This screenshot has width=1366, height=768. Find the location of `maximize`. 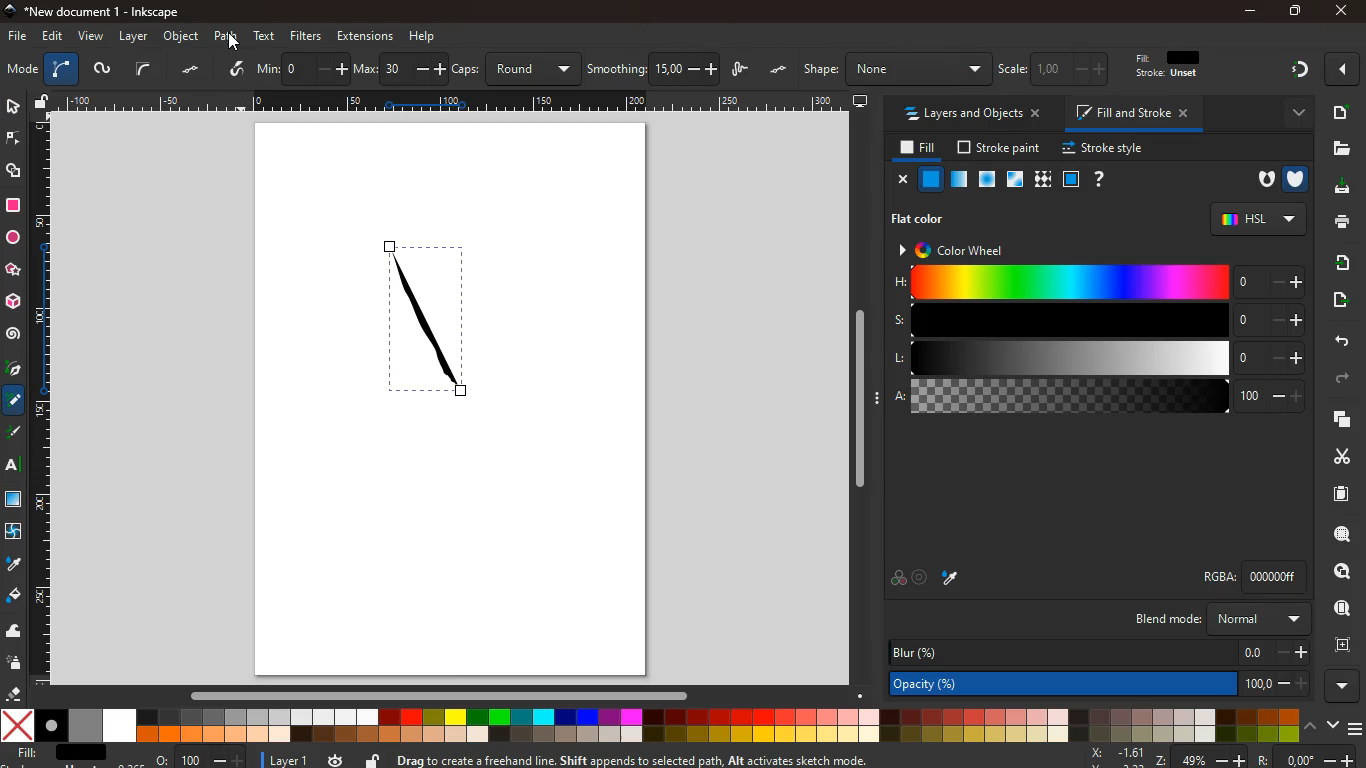

maximize is located at coordinates (1296, 13).